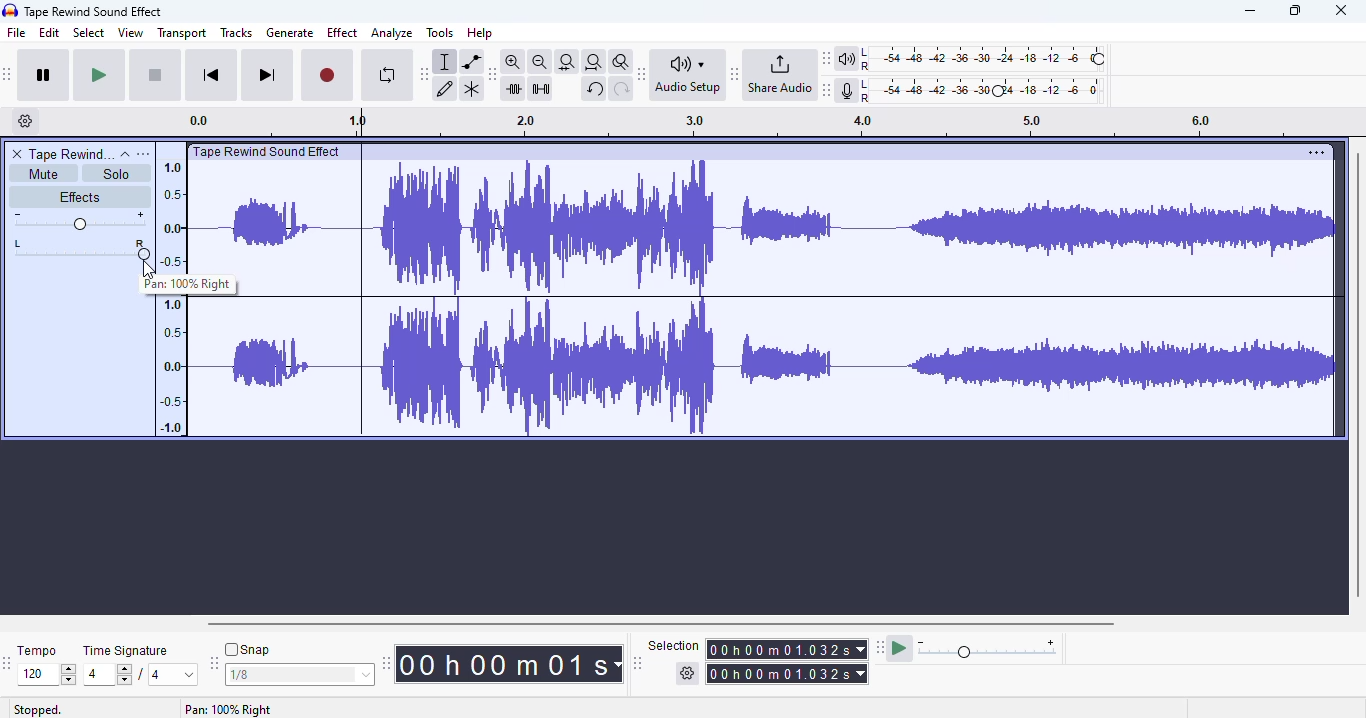 The image size is (1366, 718). What do you see at coordinates (749, 124) in the screenshot?
I see `timeline` at bounding box center [749, 124].